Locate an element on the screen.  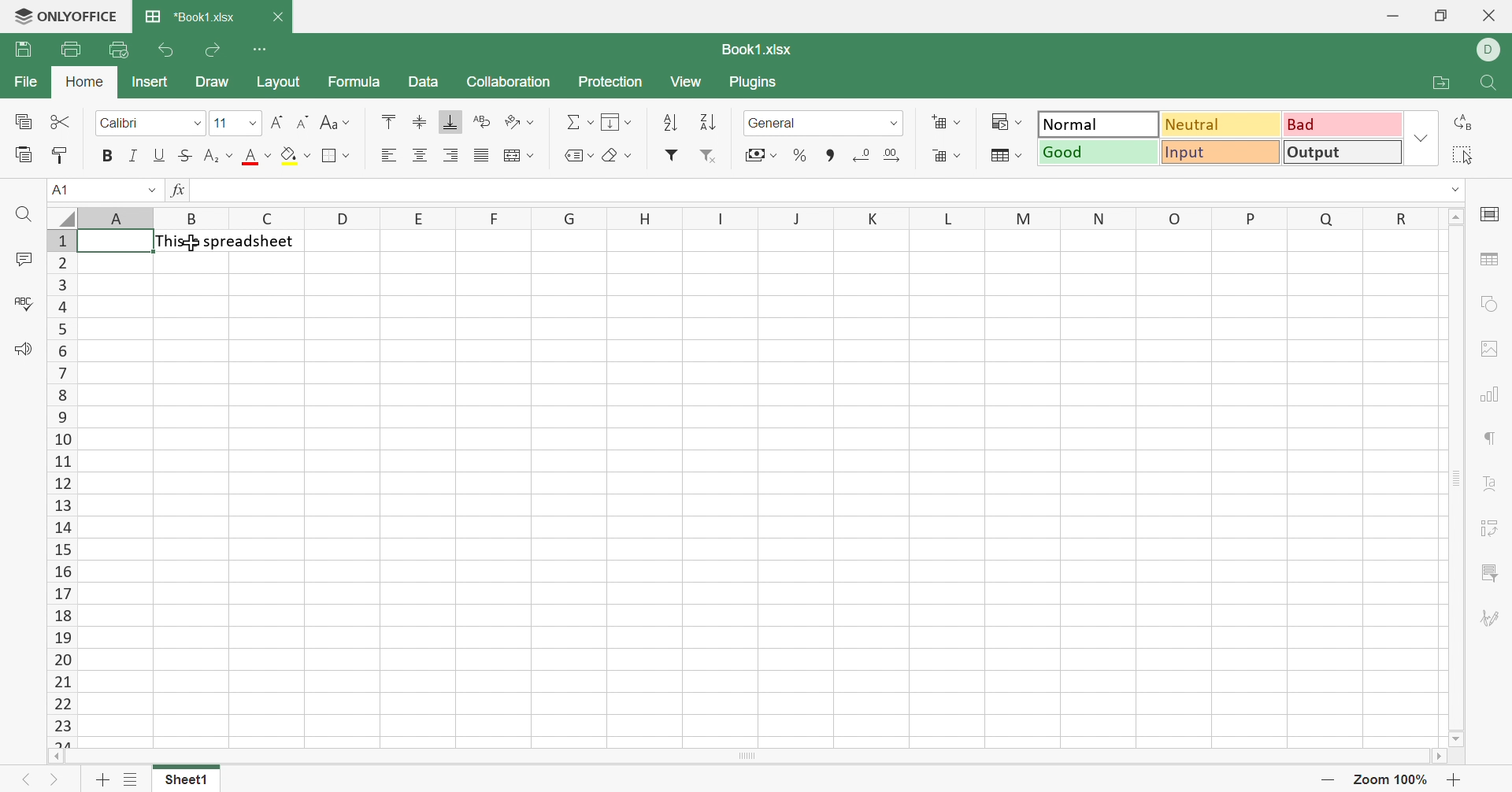
Bold is located at coordinates (108, 156).